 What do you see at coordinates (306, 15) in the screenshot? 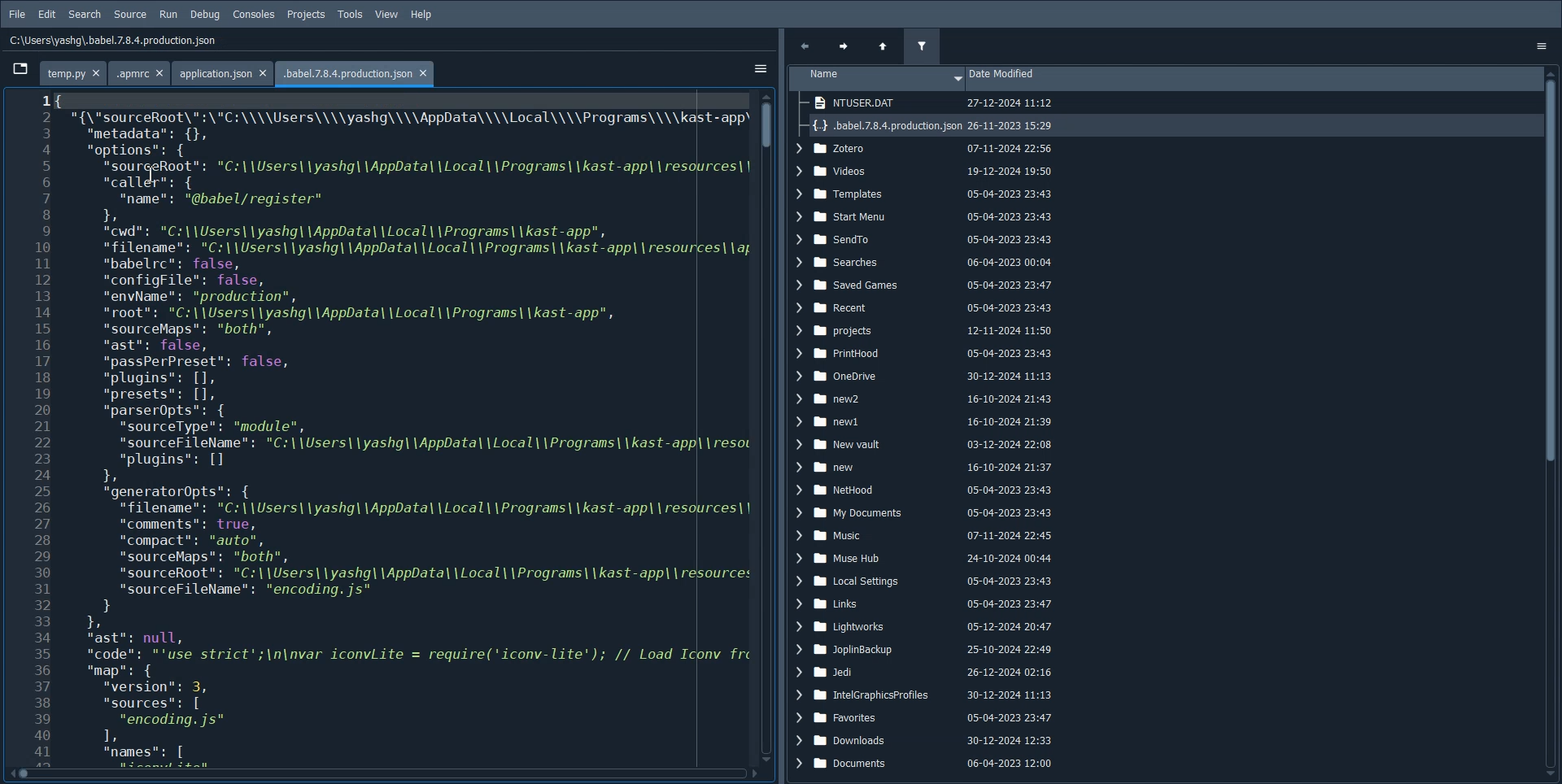
I see `Projects` at bounding box center [306, 15].